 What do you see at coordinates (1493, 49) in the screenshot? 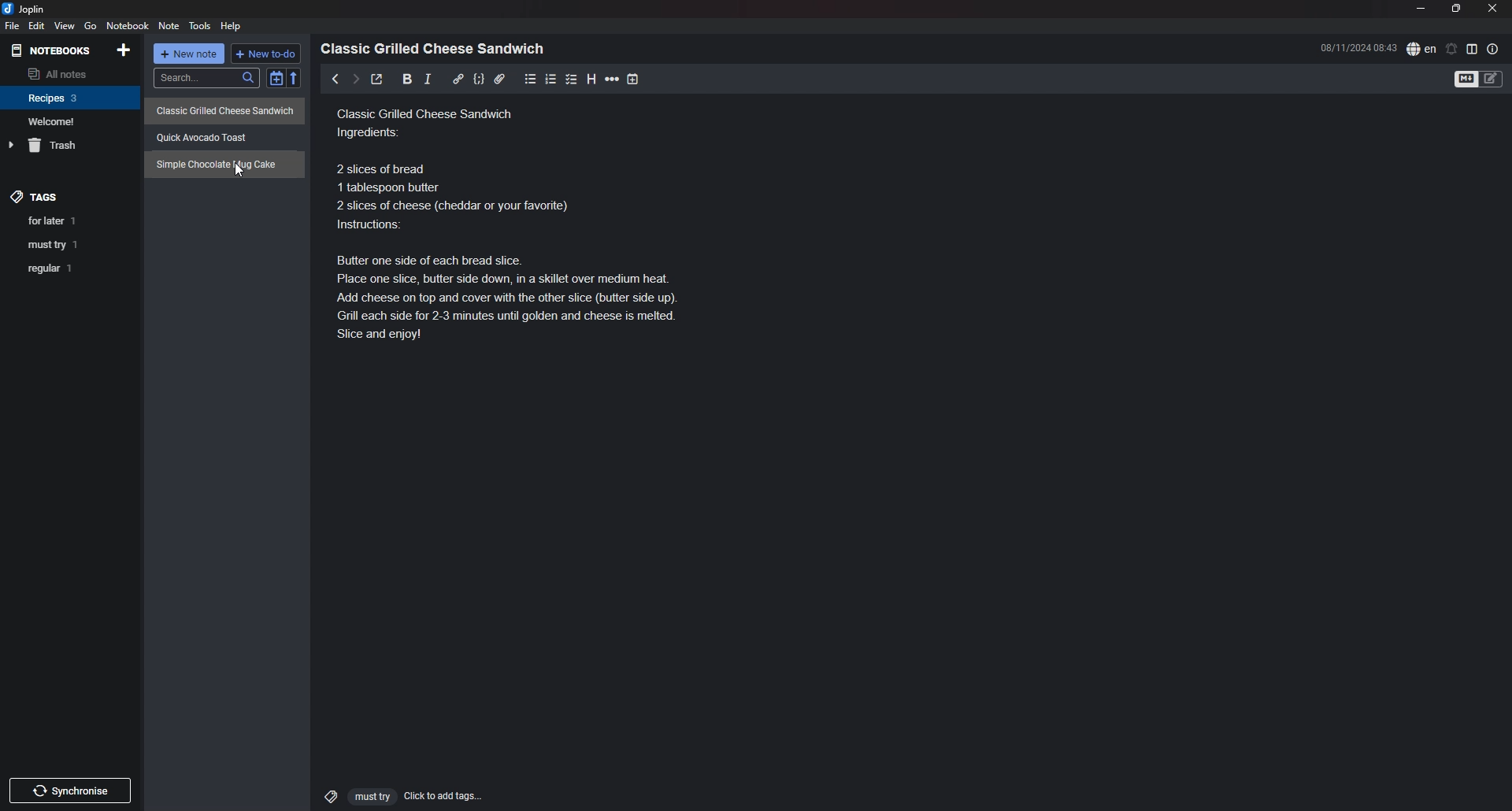
I see `note properties` at bounding box center [1493, 49].